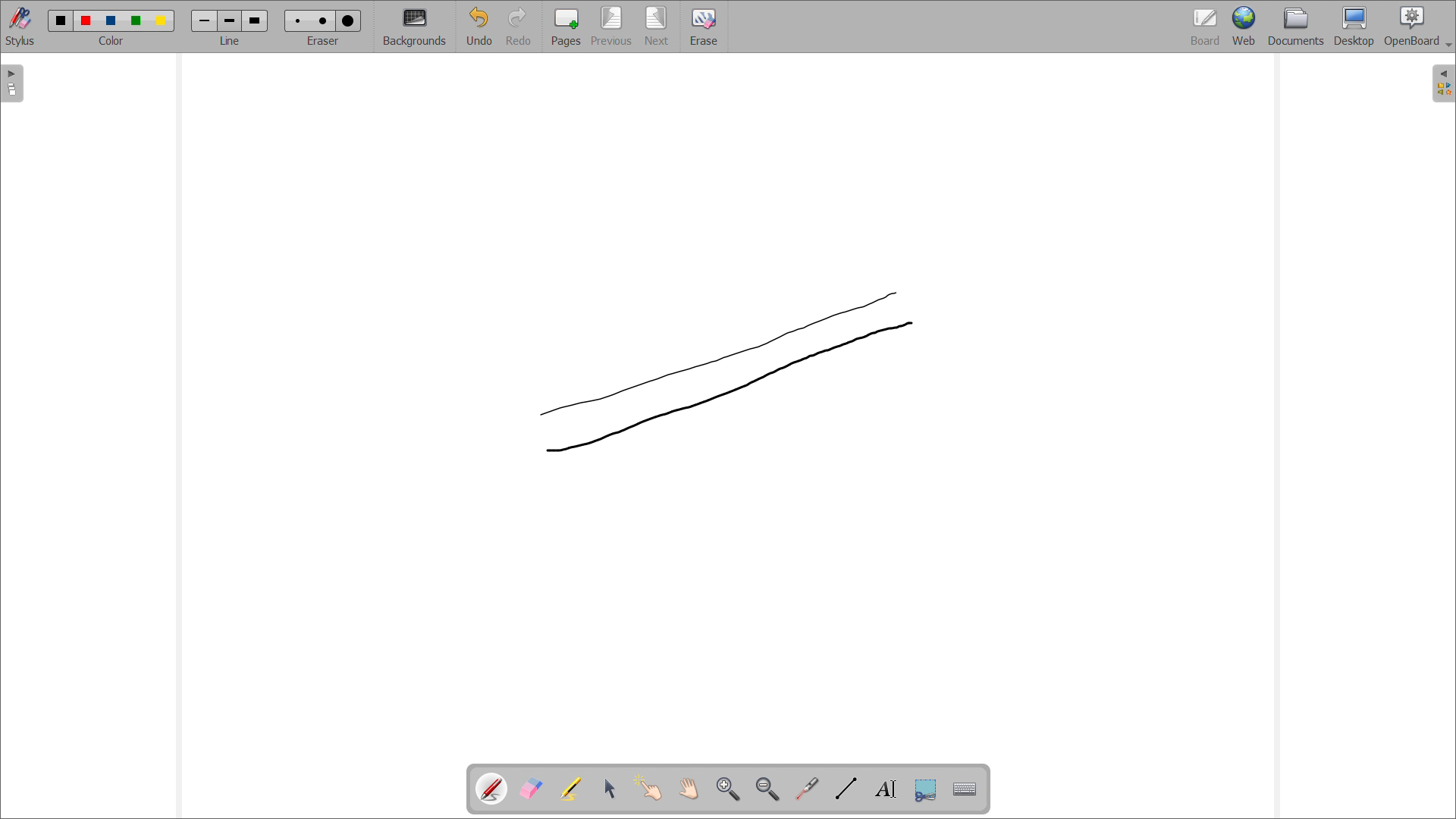  What do you see at coordinates (1417, 27) in the screenshot?
I see `openboard settings` at bounding box center [1417, 27].